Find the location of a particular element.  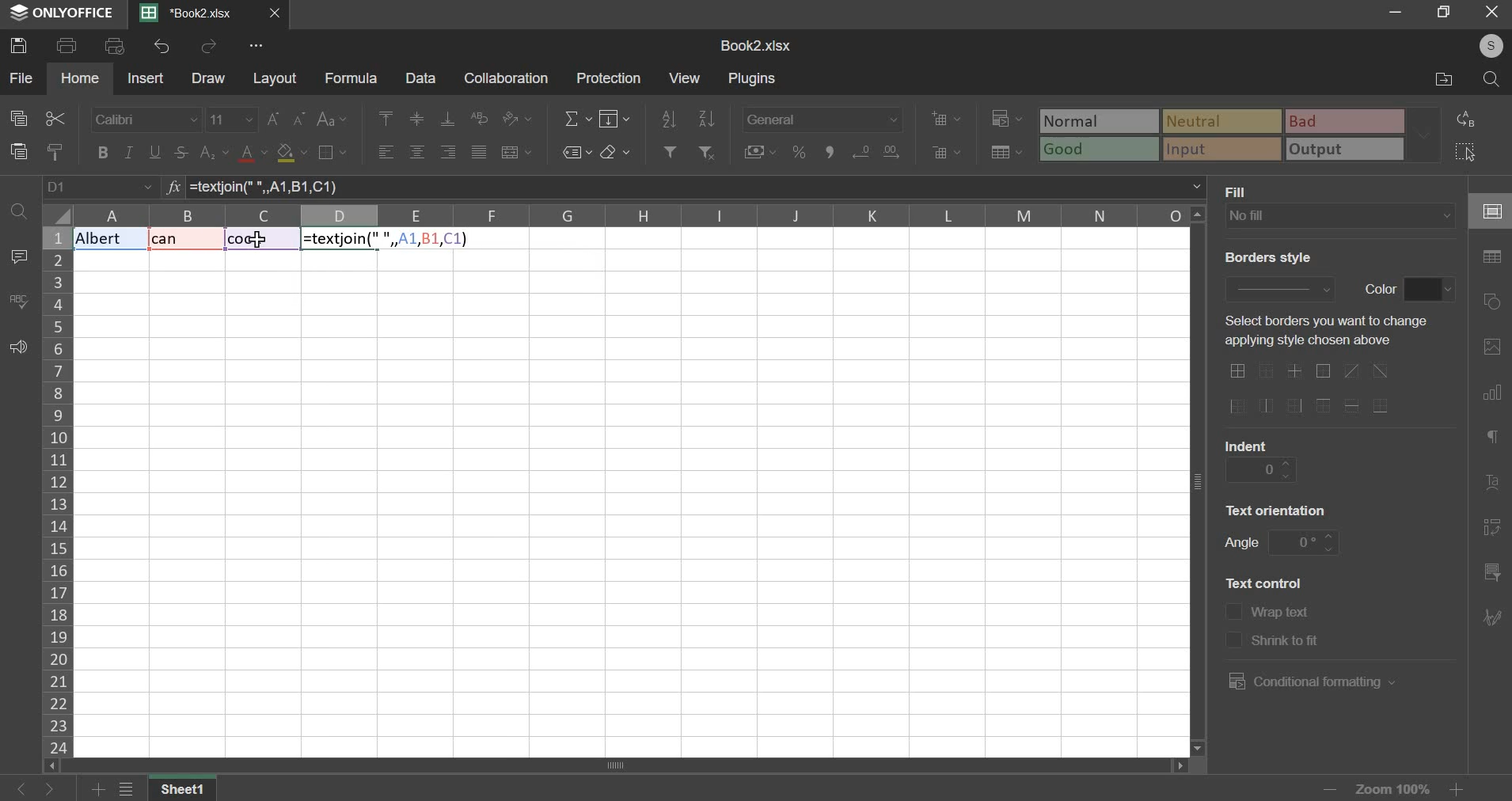

conditional formatting is located at coordinates (1309, 681).